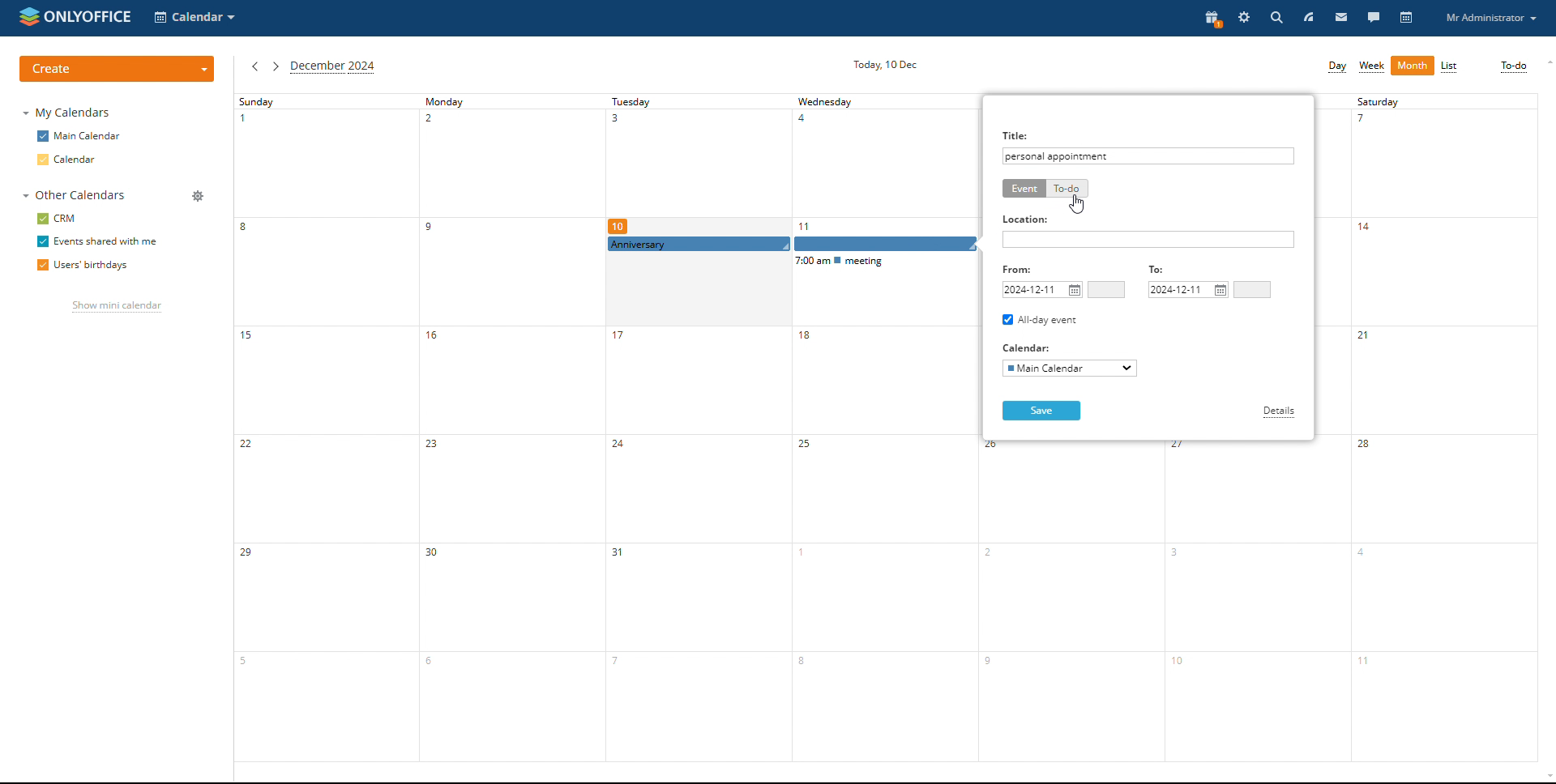 This screenshot has width=1556, height=784. I want to click on tuesday, so click(696, 428).